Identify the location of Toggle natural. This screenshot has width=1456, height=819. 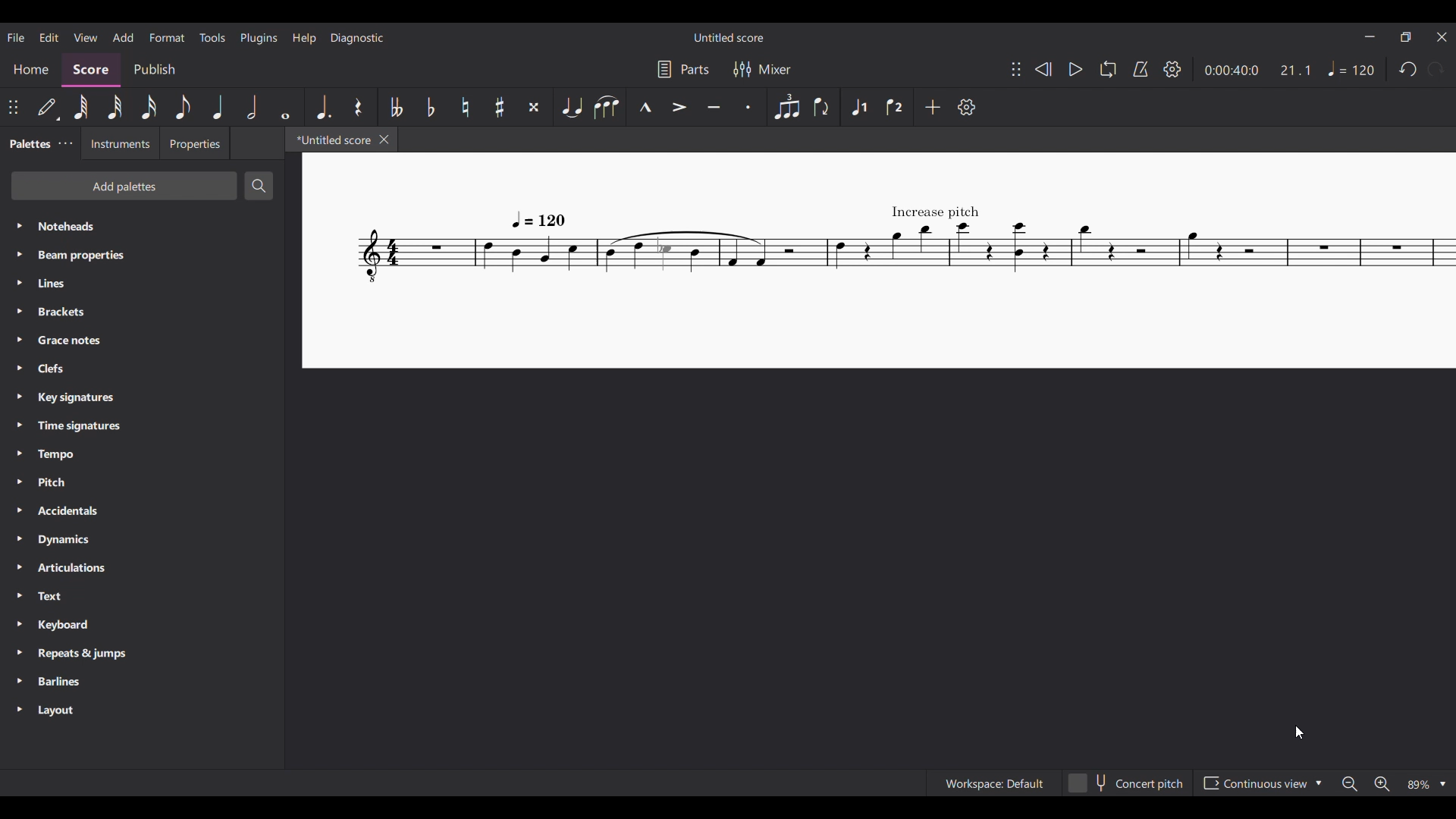
(465, 107).